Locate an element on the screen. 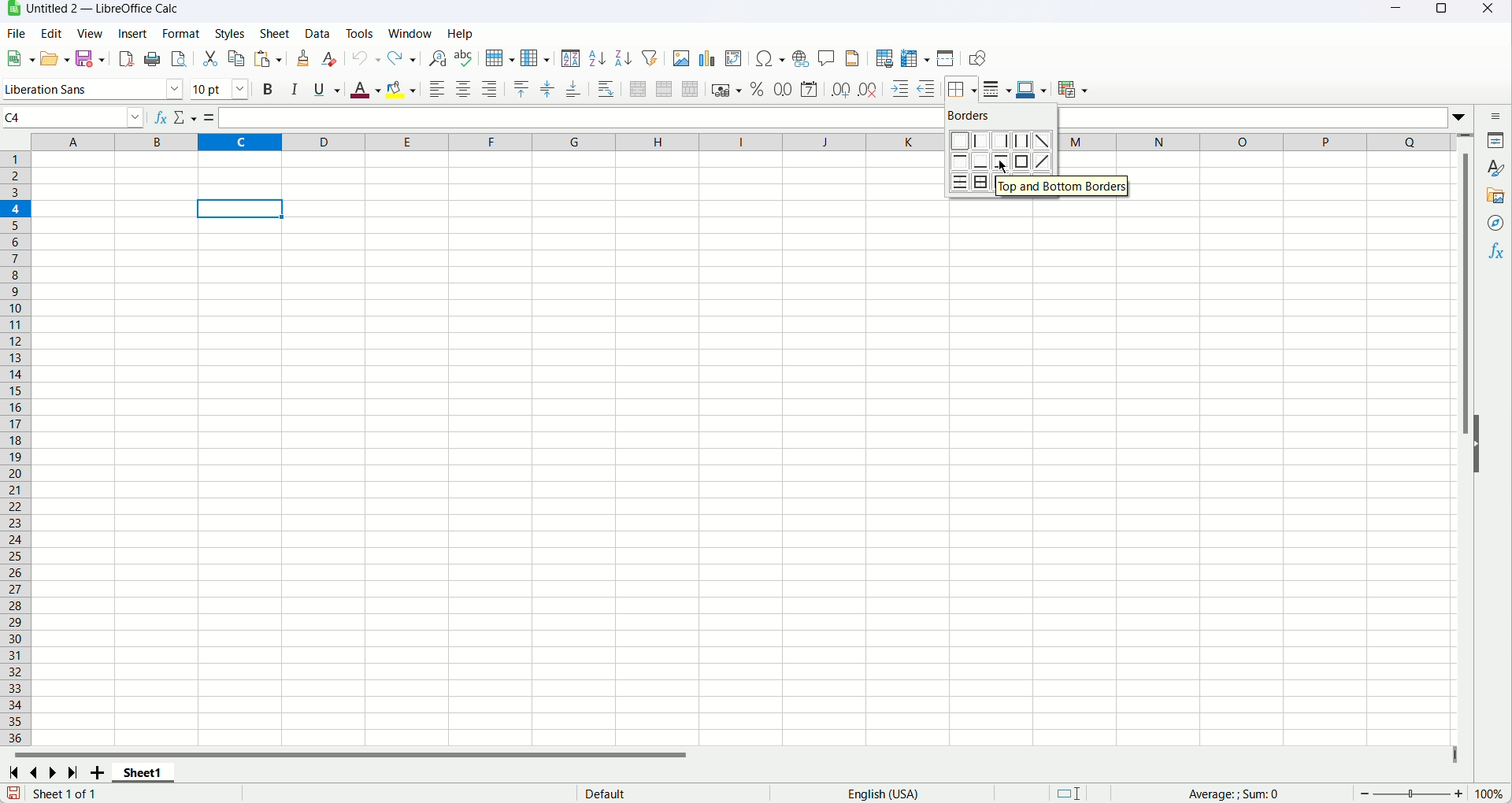 The image size is (1512, 803). Styles is located at coordinates (1495, 168).